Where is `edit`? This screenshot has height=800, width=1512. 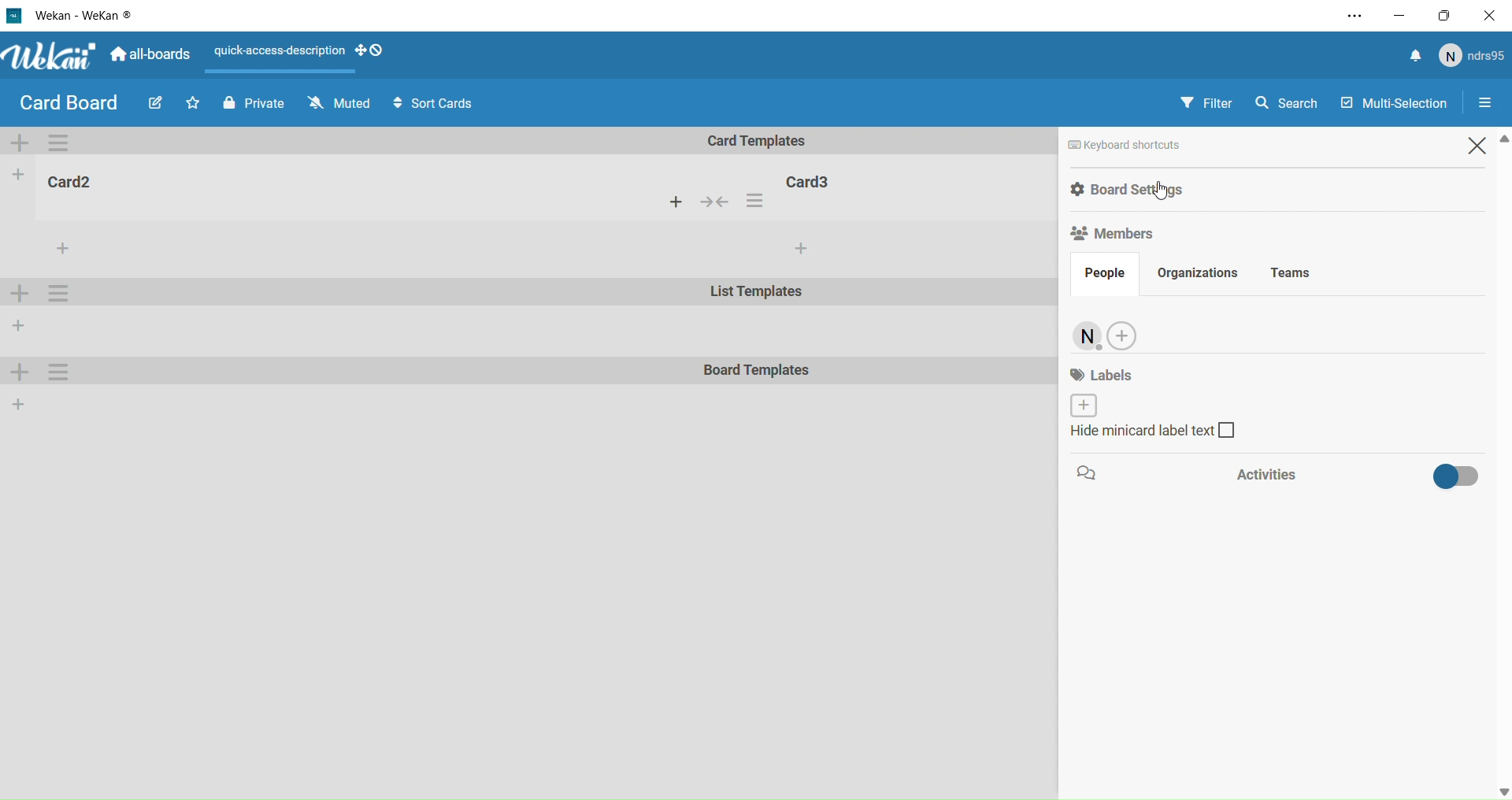 edit is located at coordinates (153, 106).